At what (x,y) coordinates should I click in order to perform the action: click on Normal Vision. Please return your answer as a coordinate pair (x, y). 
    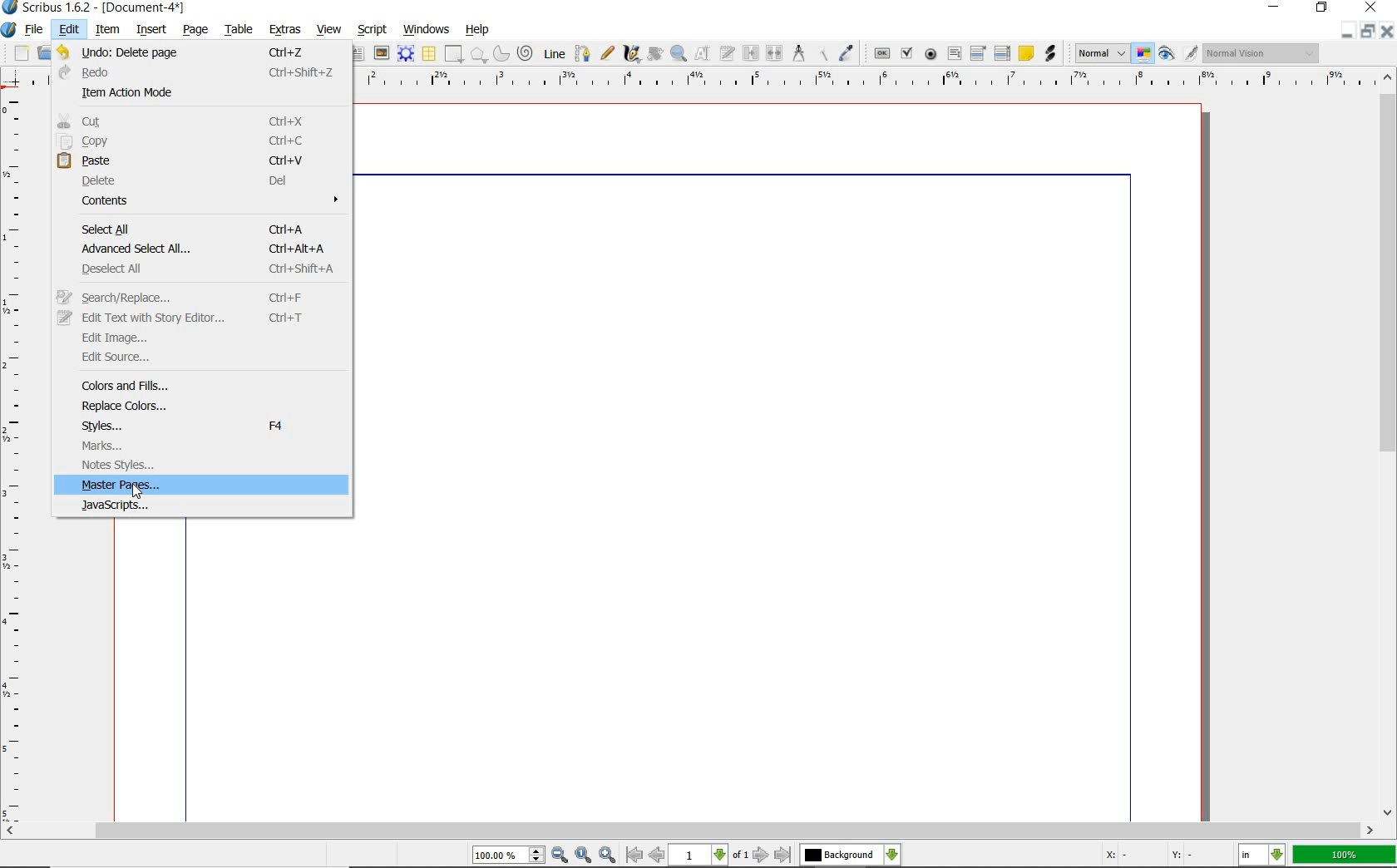
    Looking at the image, I should click on (1262, 55).